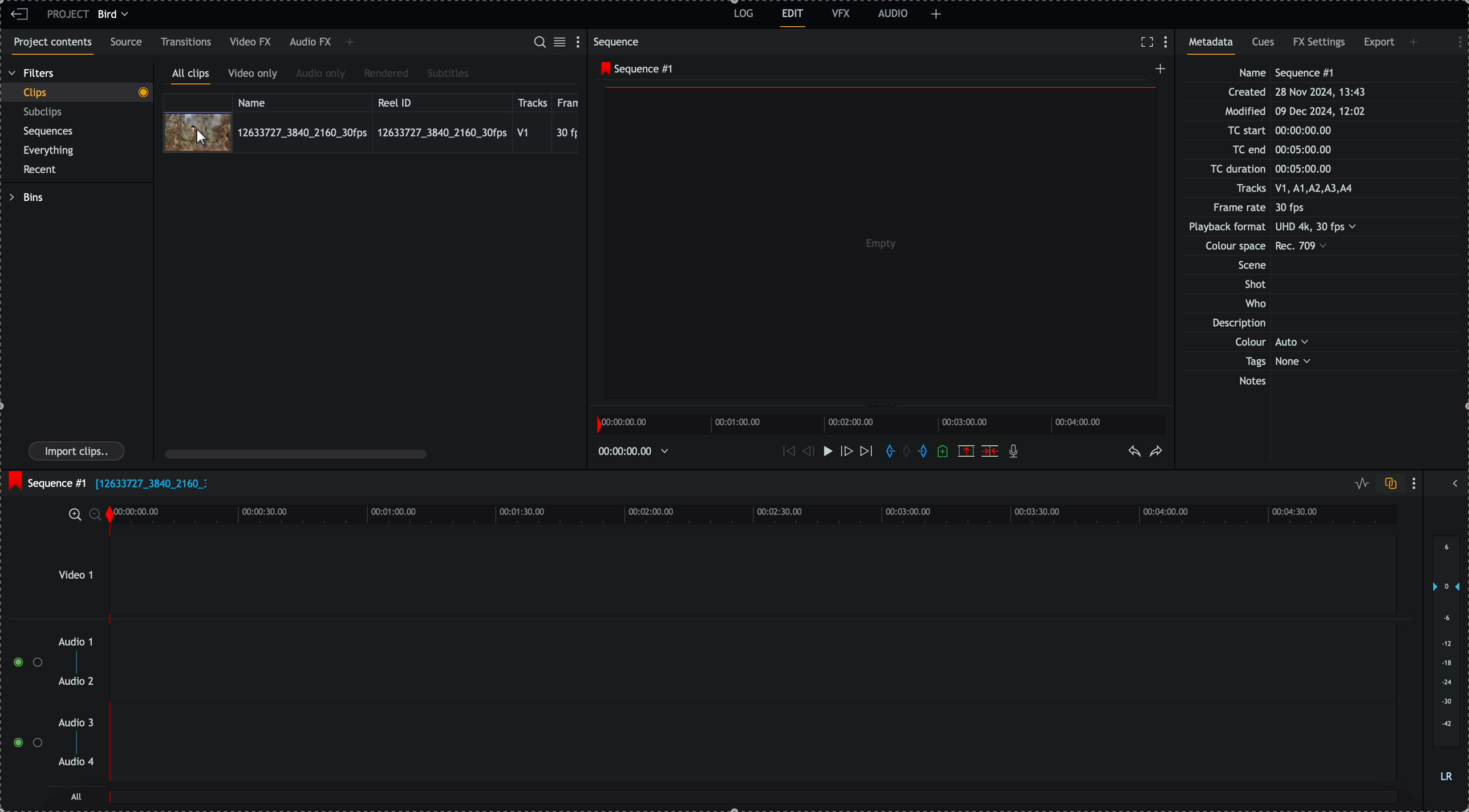  What do you see at coordinates (841, 13) in the screenshot?
I see `VFX` at bounding box center [841, 13].